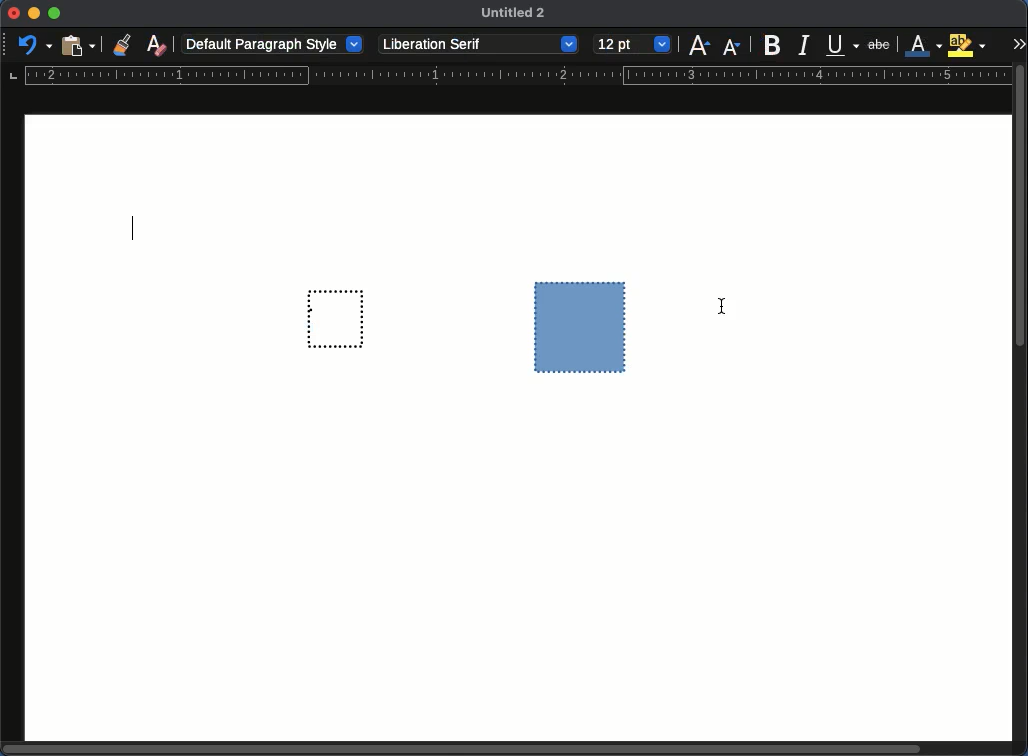 The width and height of the screenshot is (1028, 756). What do you see at coordinates (698, 45) in the screenshot?
I see `size increase` at bounding box center [698, 45].